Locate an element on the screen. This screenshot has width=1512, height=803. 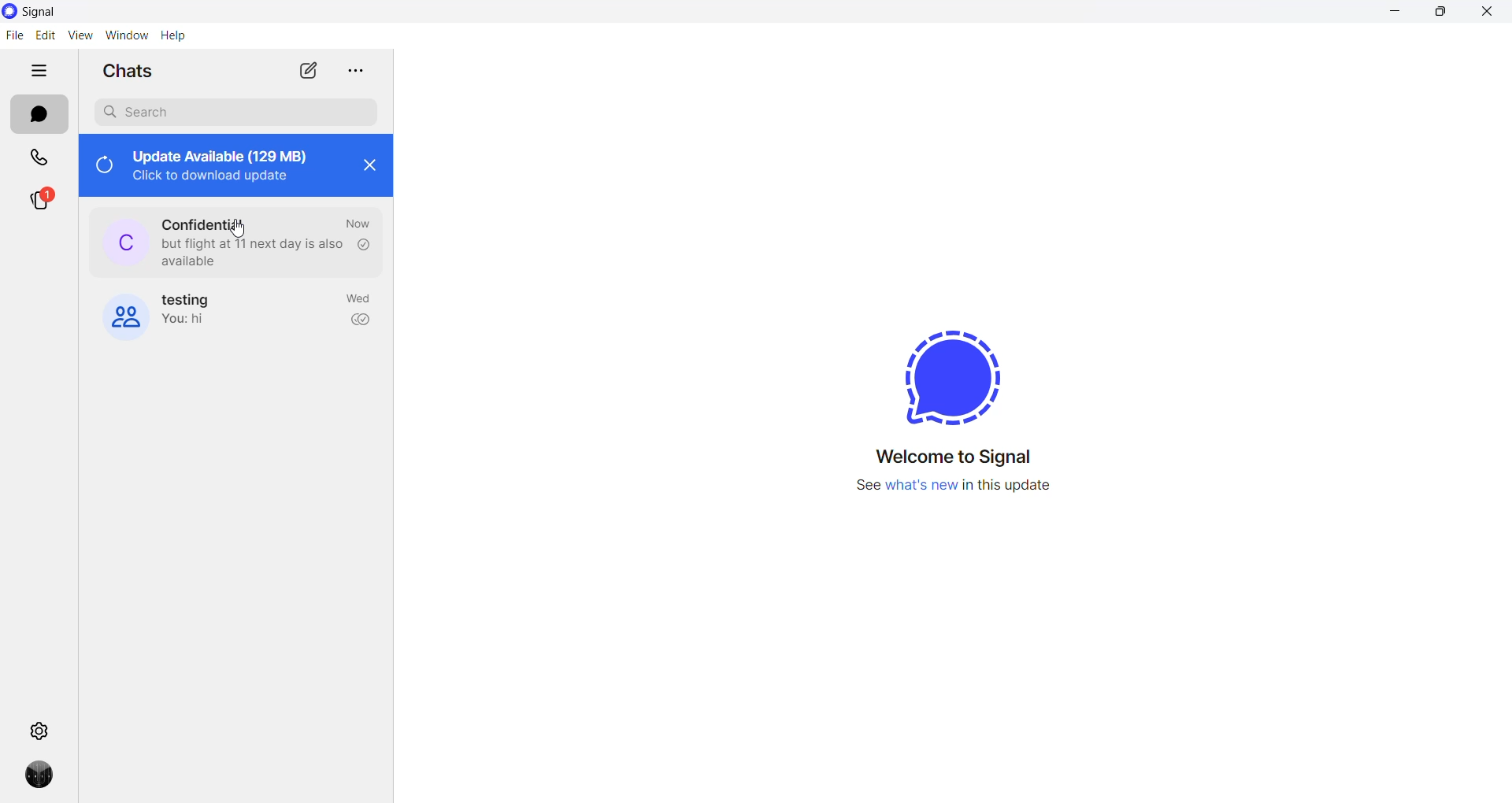
read recipient is located at coordinates (361, 322).